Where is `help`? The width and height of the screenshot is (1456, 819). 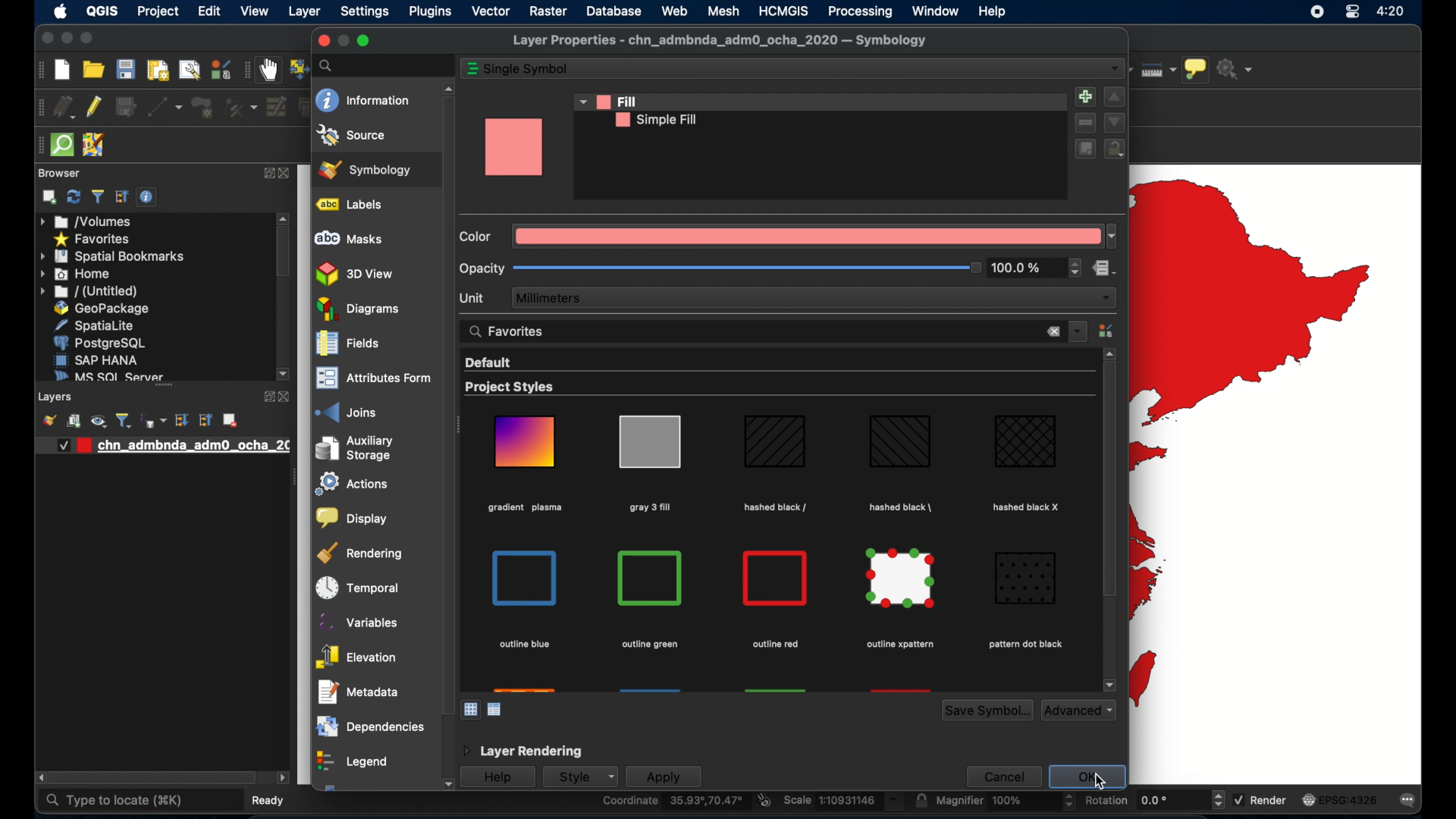 help is located at coordinates (497, 778).